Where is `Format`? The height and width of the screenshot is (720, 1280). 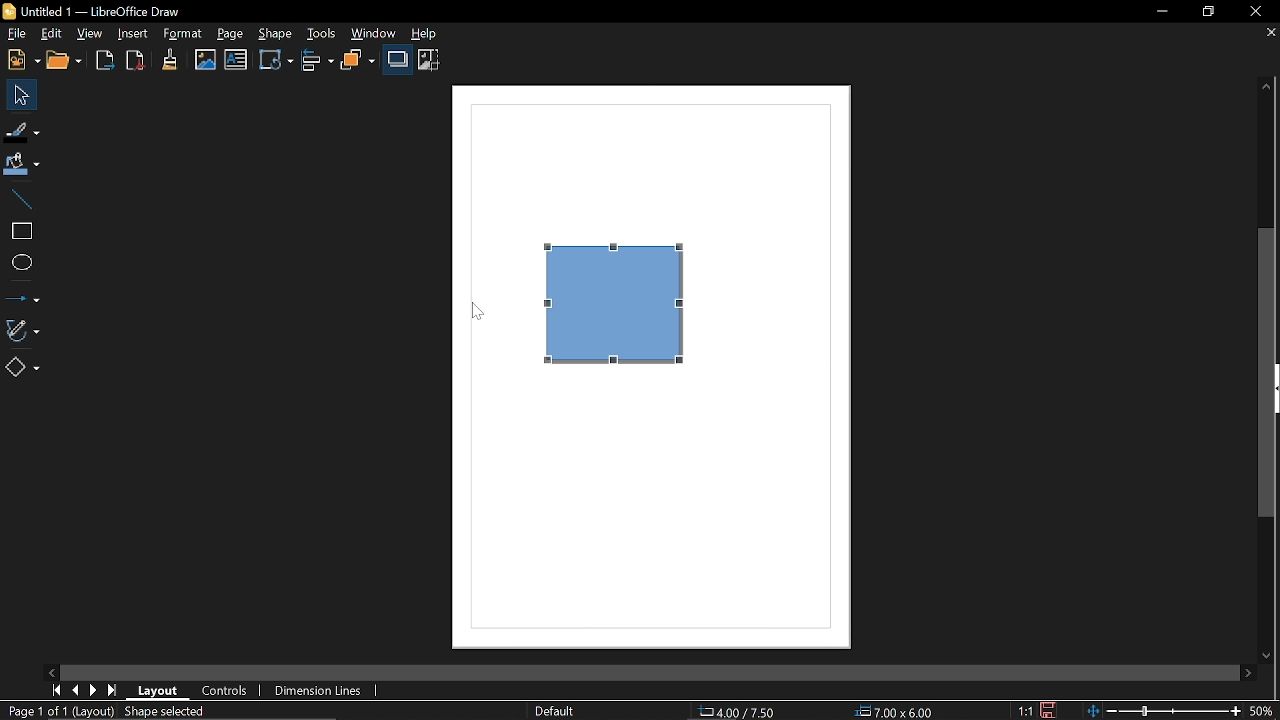 Format is located at coordinates (181, 34).